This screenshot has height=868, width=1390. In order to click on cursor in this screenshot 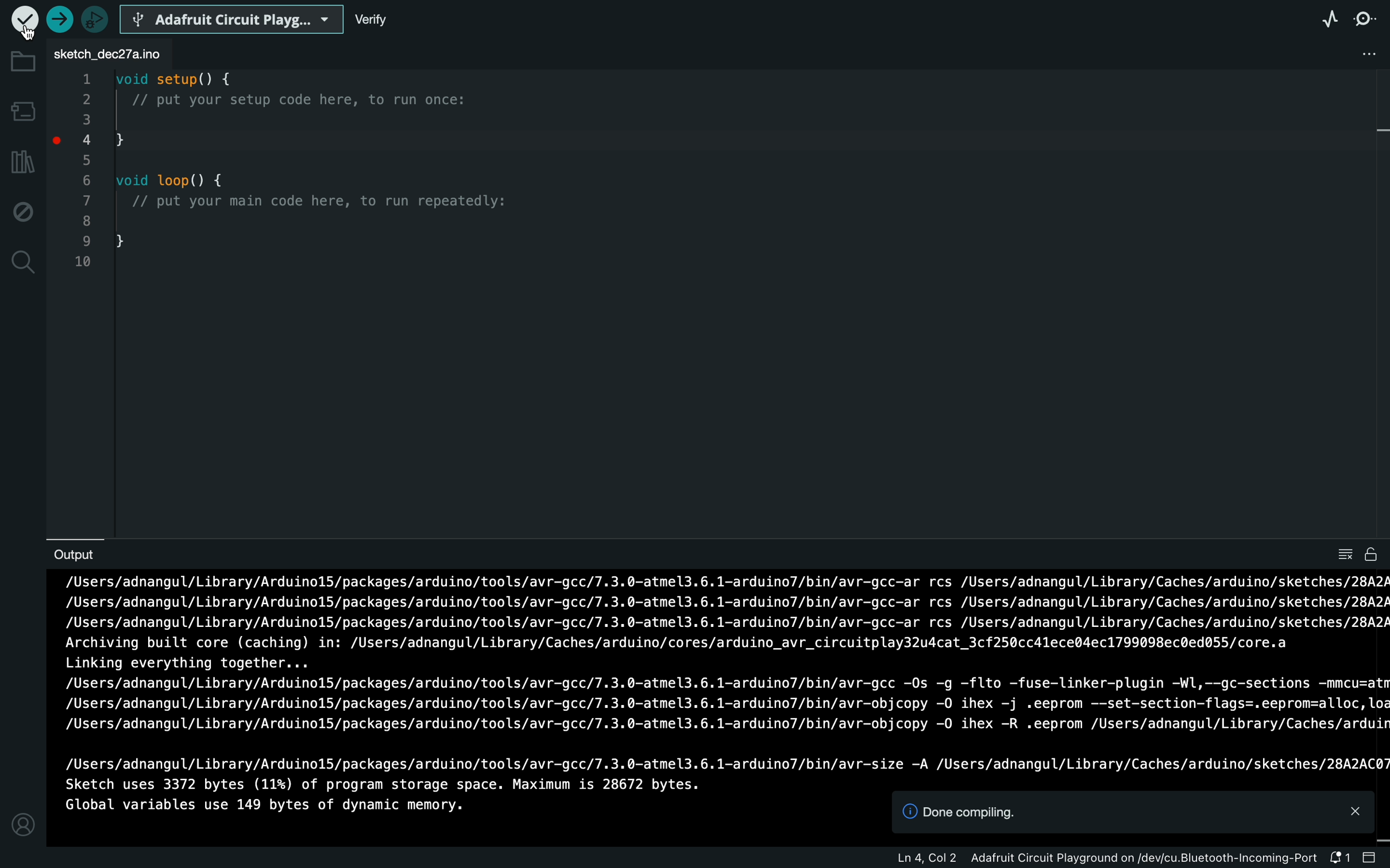, I will do `click(25, 31)`.